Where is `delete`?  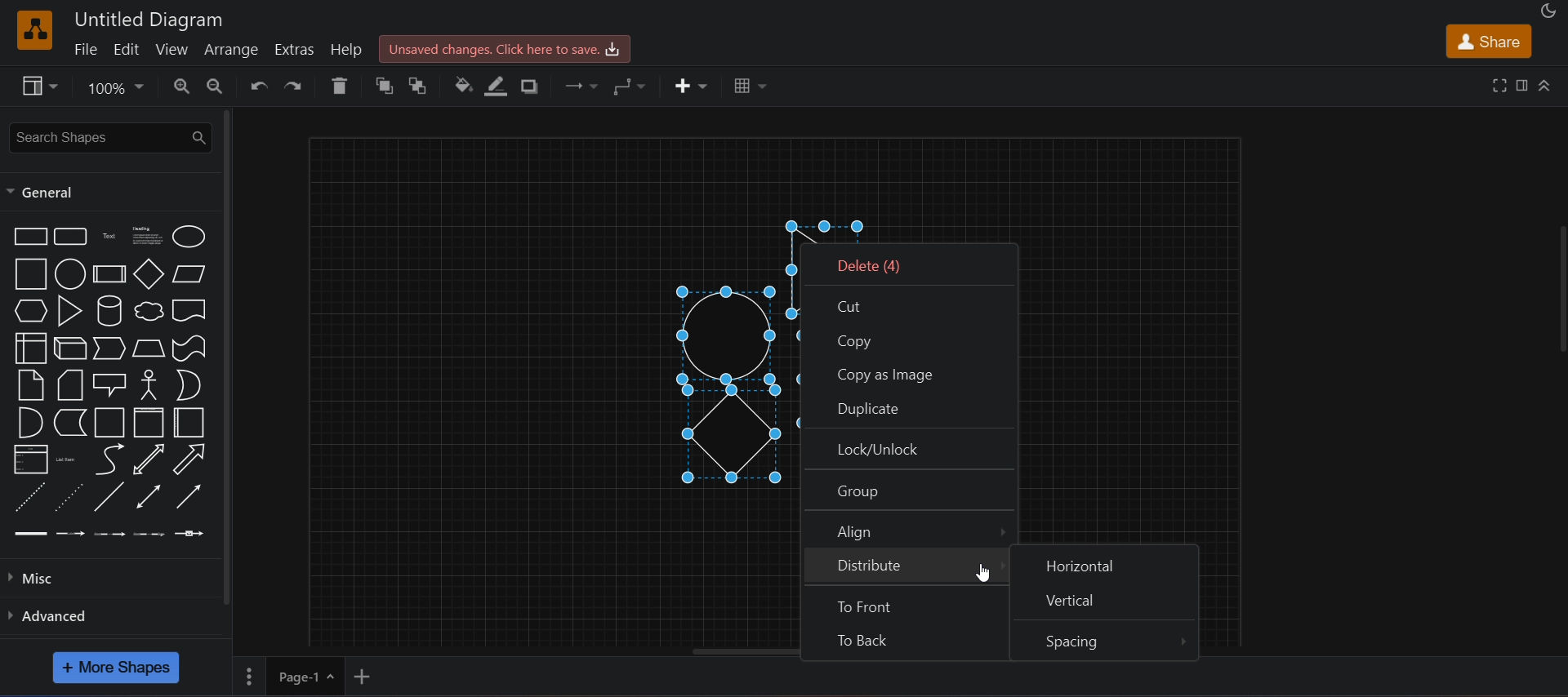
delete is located at coordinates (343, 86).